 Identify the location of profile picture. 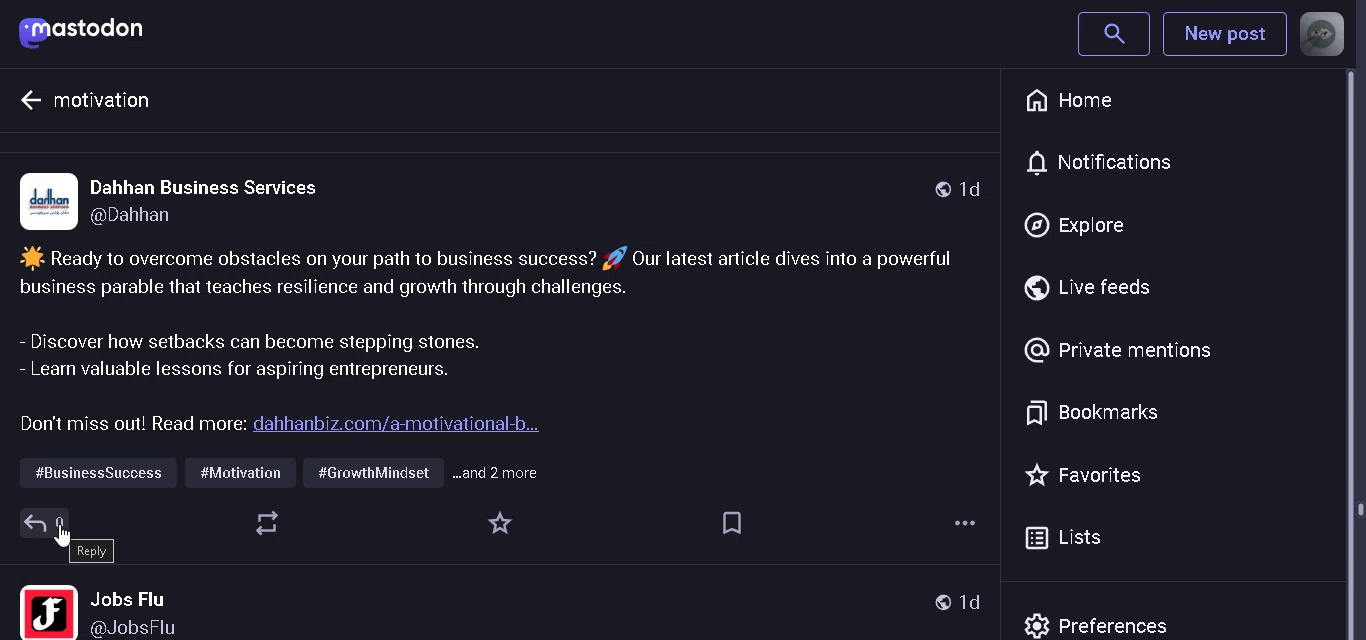
(46, 609).